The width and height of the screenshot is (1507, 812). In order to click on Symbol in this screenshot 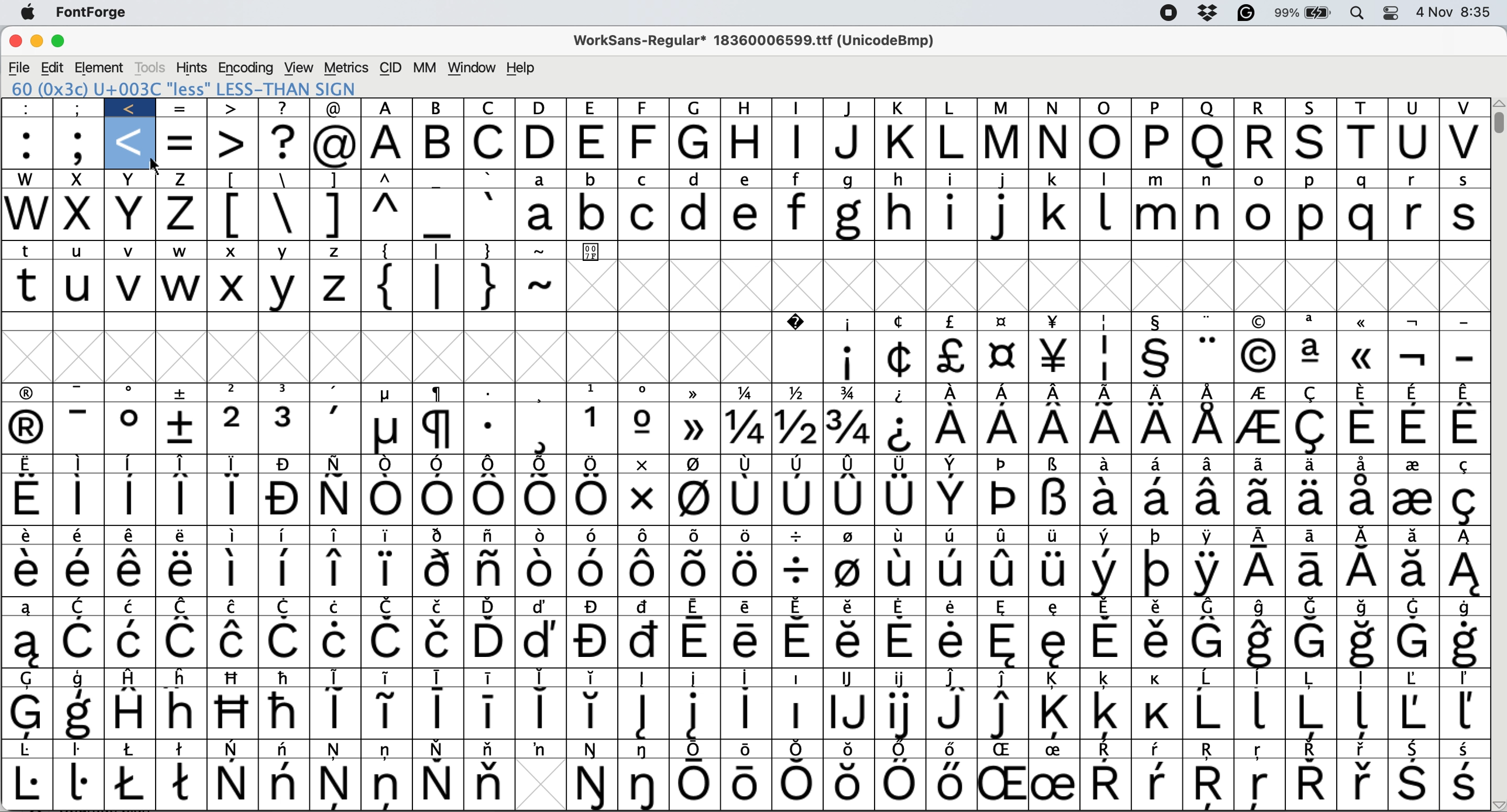, I will do `click(900, 499)`.